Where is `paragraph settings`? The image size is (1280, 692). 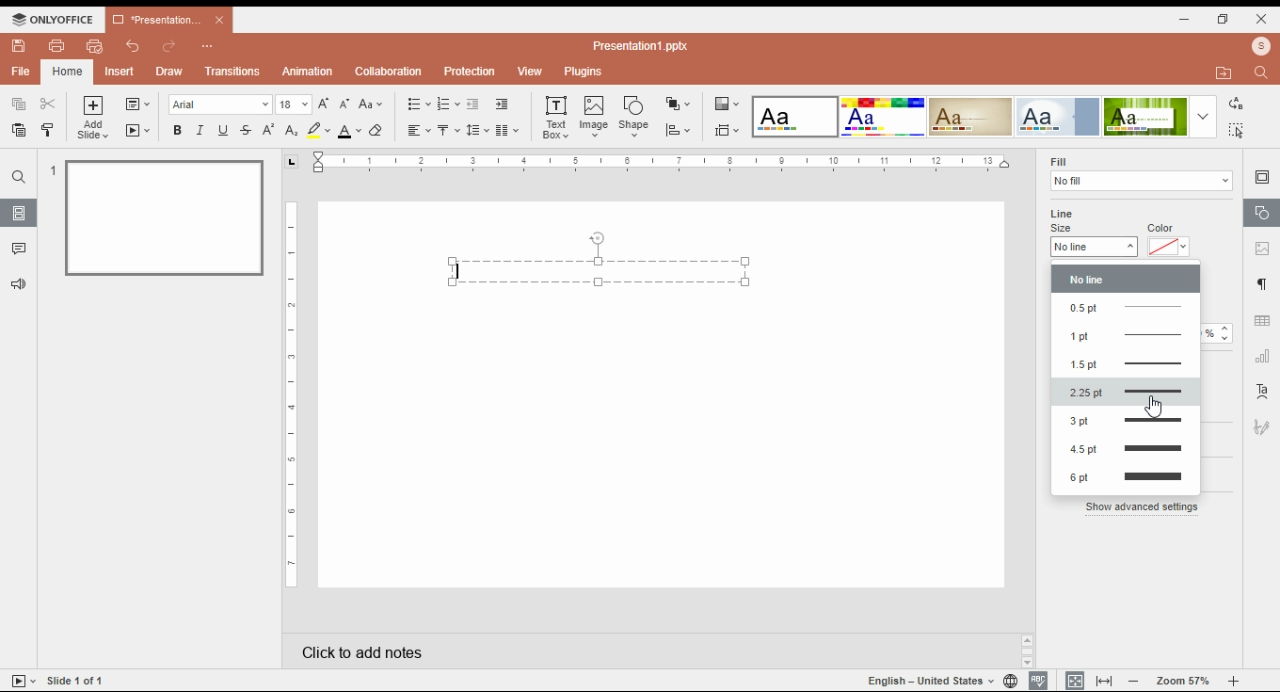
paragraph settings is located at coordinates (1261, 285).